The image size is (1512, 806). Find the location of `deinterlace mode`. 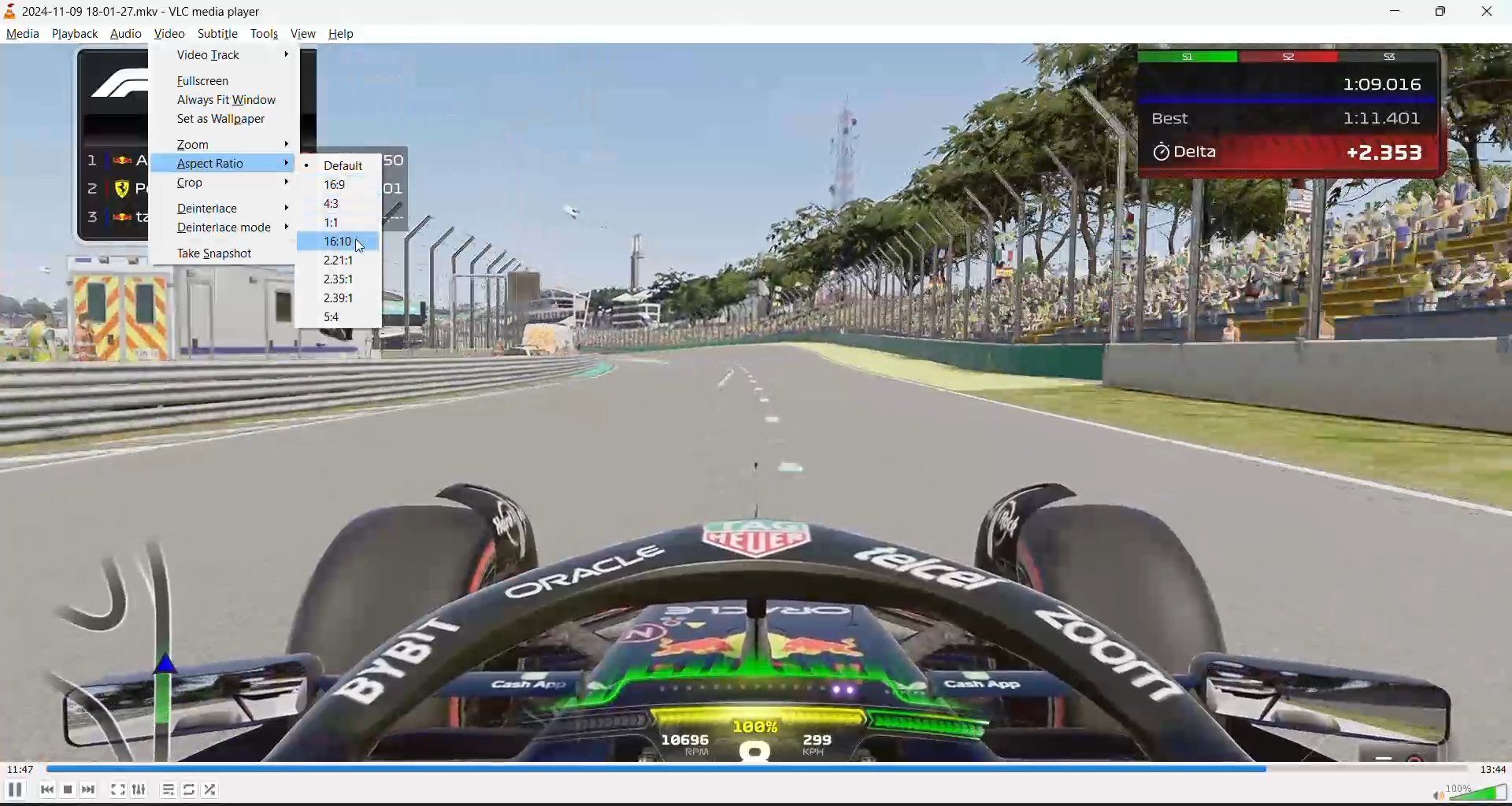

deinterlace mode is located at coordinates (226, 228).